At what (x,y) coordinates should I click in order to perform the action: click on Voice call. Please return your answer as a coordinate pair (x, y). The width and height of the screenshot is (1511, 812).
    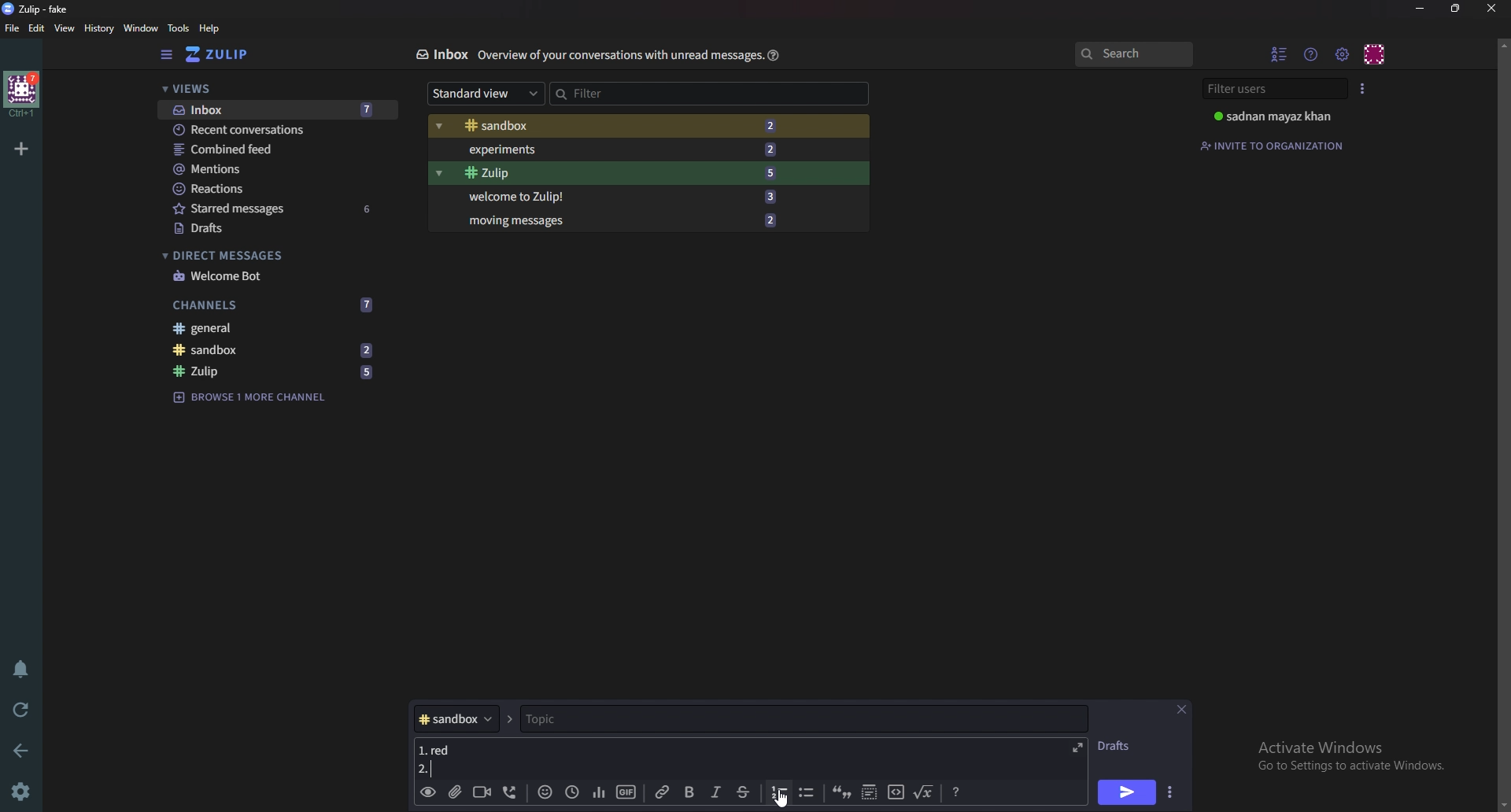
    Looking at the image, I should click on (508, 794).